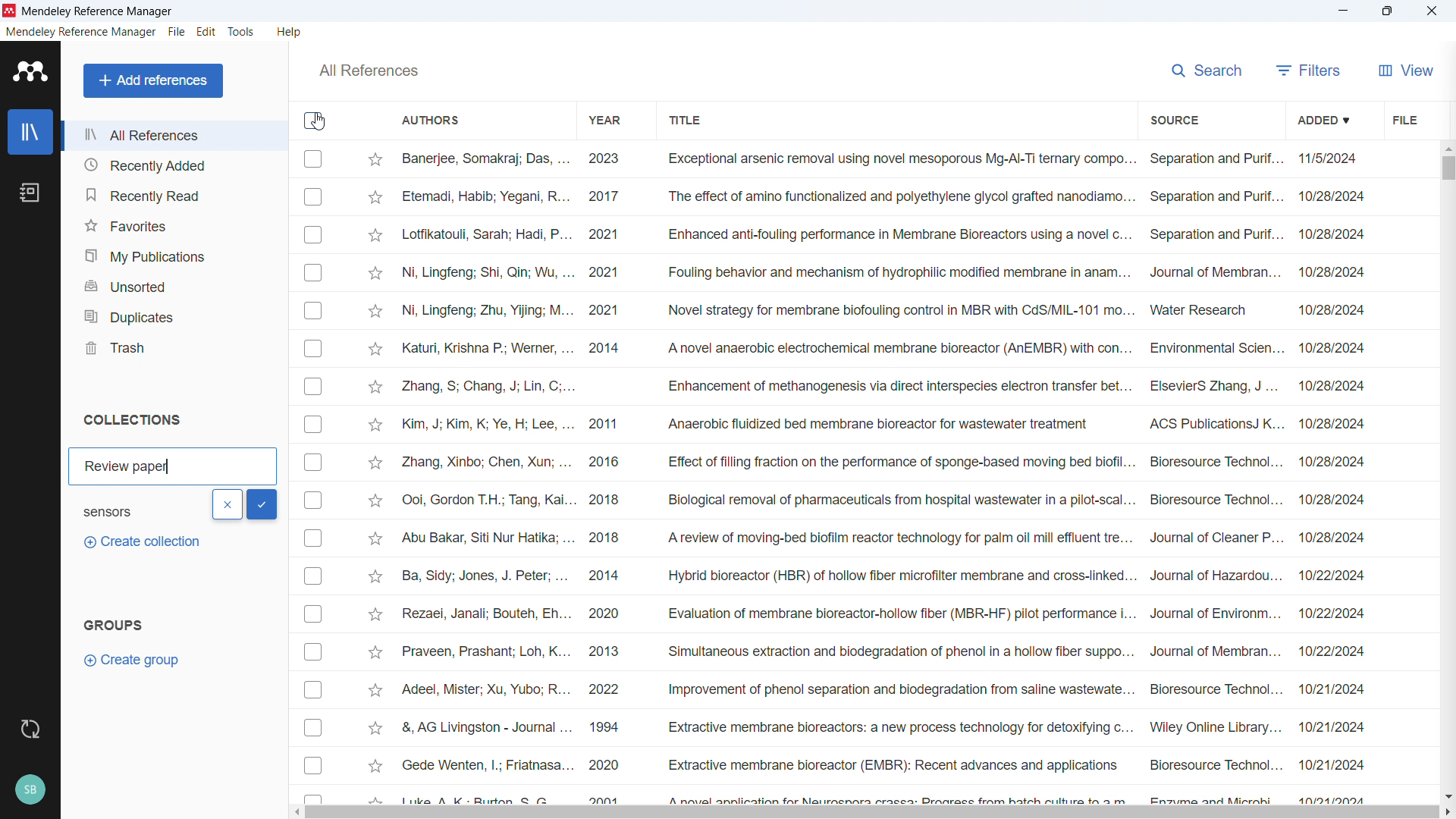 This screenshot has width=1456, height=819. Describe the element at coordinates (883, 499) in the screenshot. I see `Ooi, Gordon T.H.; Tang, Kai... 2018 Biological removal of pharmaceuticals from hospital wastewater in a pilot-scal... Bioresource Technol... 10/28/2024` at that location.